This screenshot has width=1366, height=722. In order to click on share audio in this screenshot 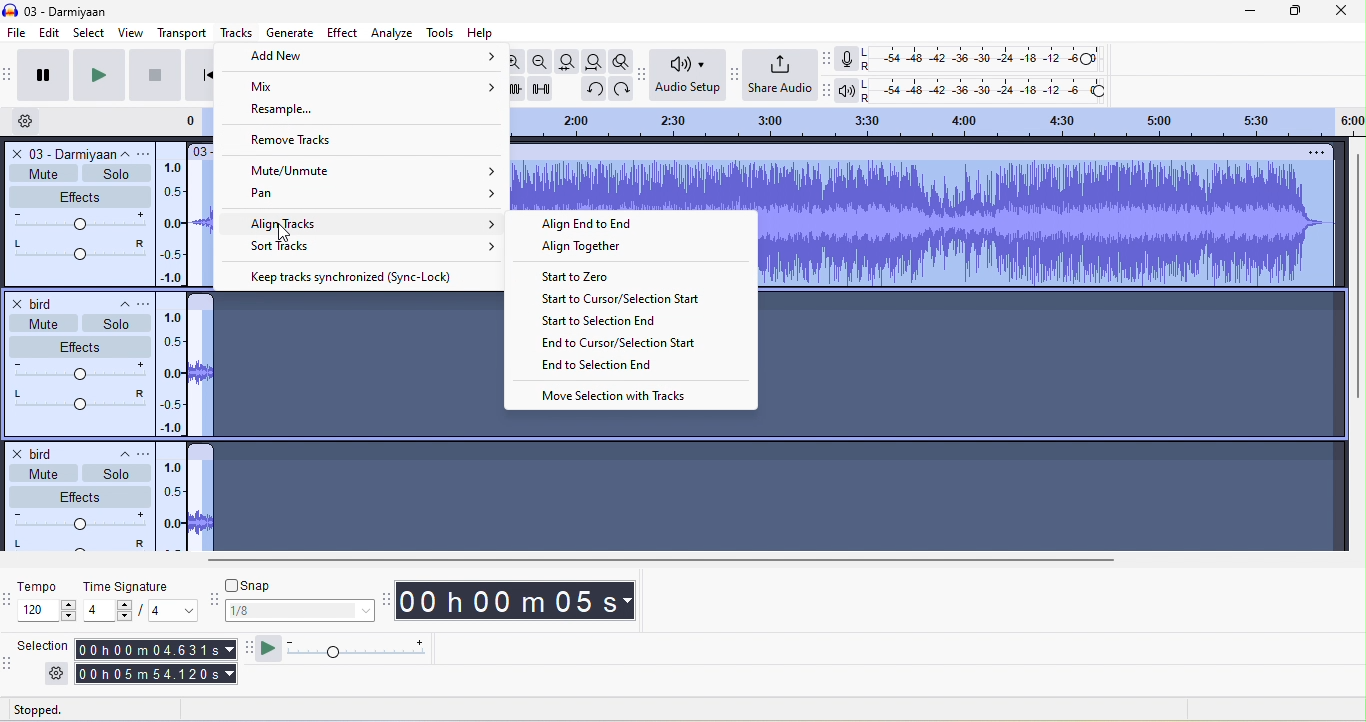, I will do `click(782, 75)`.